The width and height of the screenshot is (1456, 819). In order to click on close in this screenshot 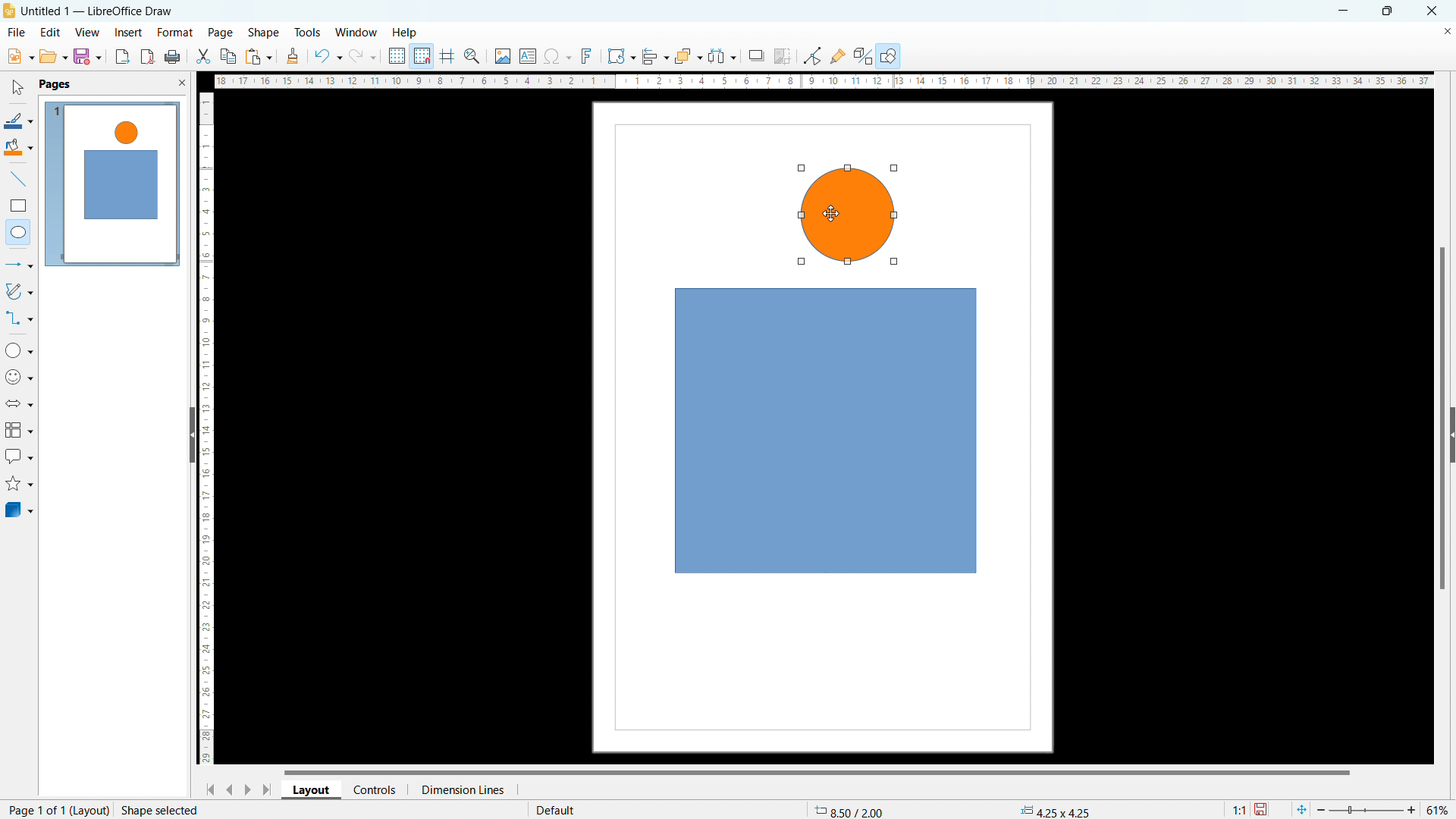, I will do `click(1433, 10)`.